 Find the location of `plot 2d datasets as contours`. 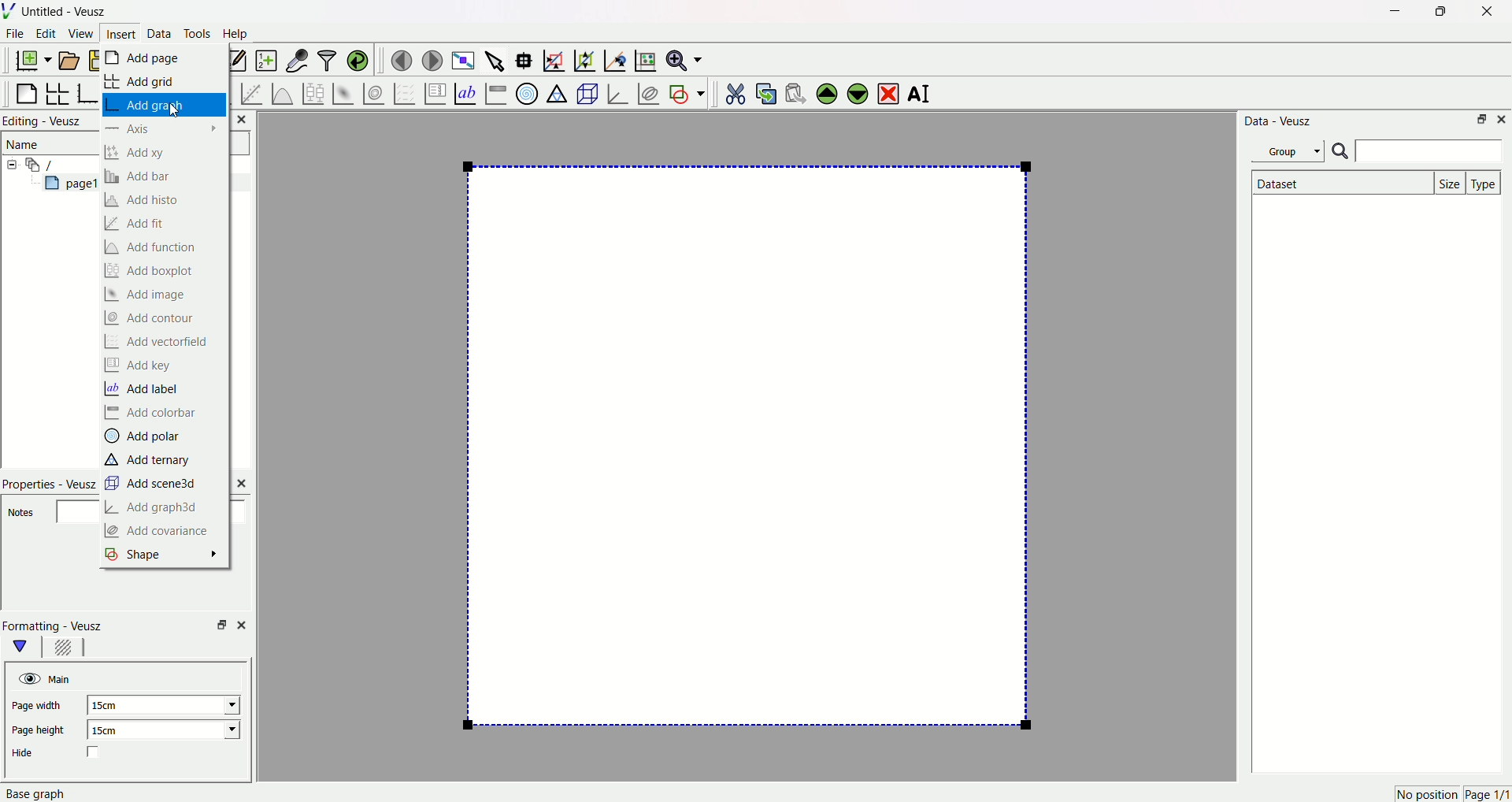

plot 2d datasets as contours is located at coordinates (372, 93).